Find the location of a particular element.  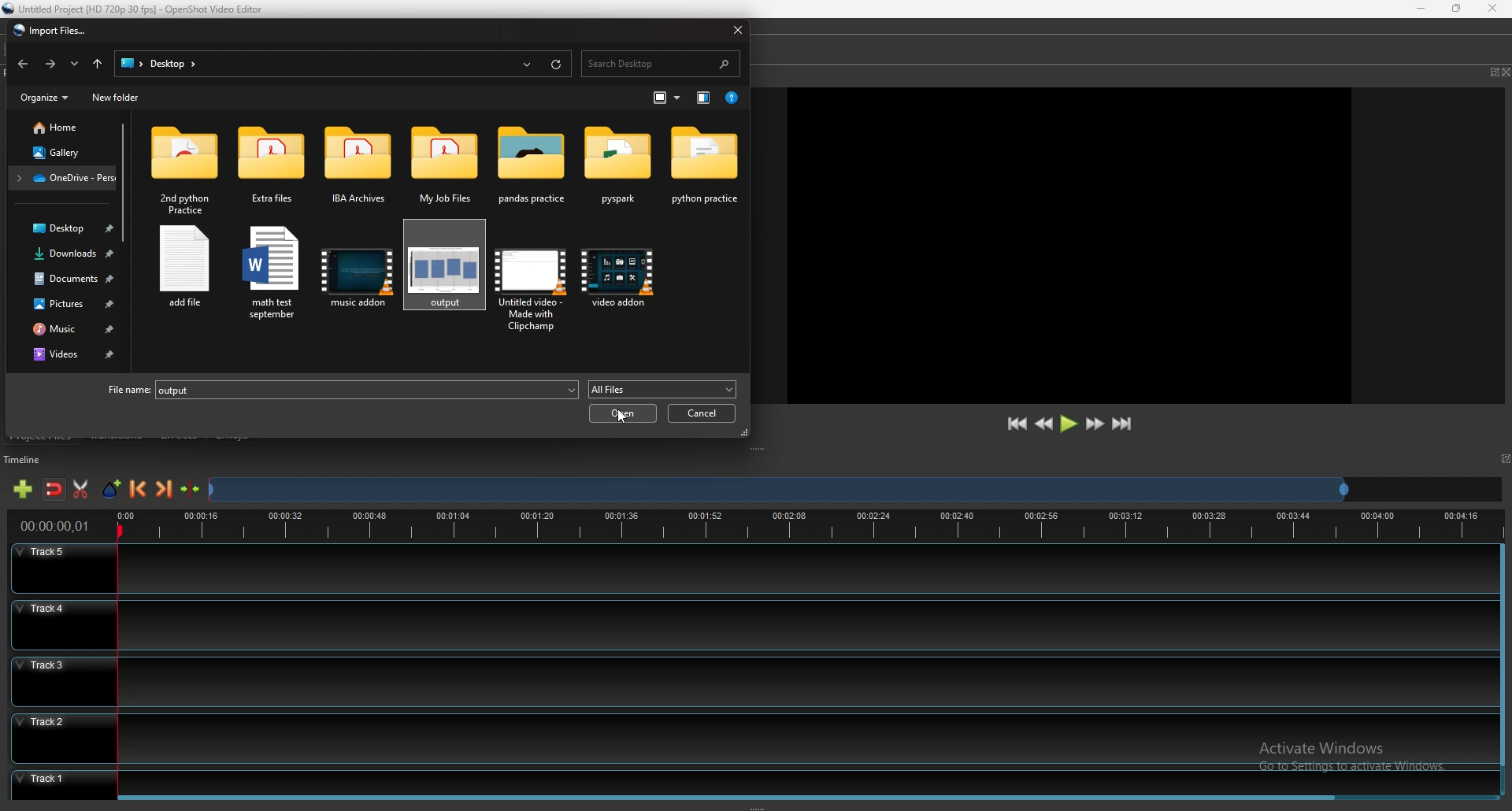

desktop is located at coordinates (62, 228).